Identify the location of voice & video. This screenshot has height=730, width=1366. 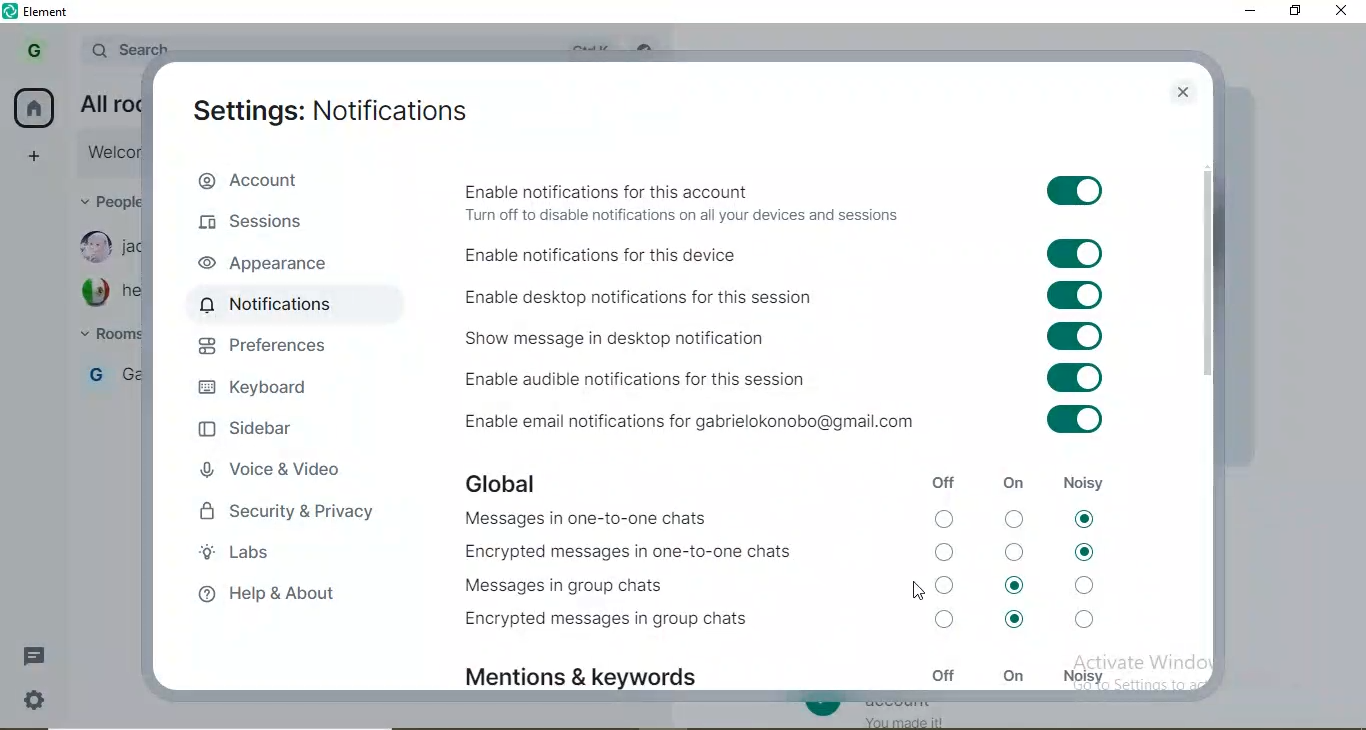
(272, 474).